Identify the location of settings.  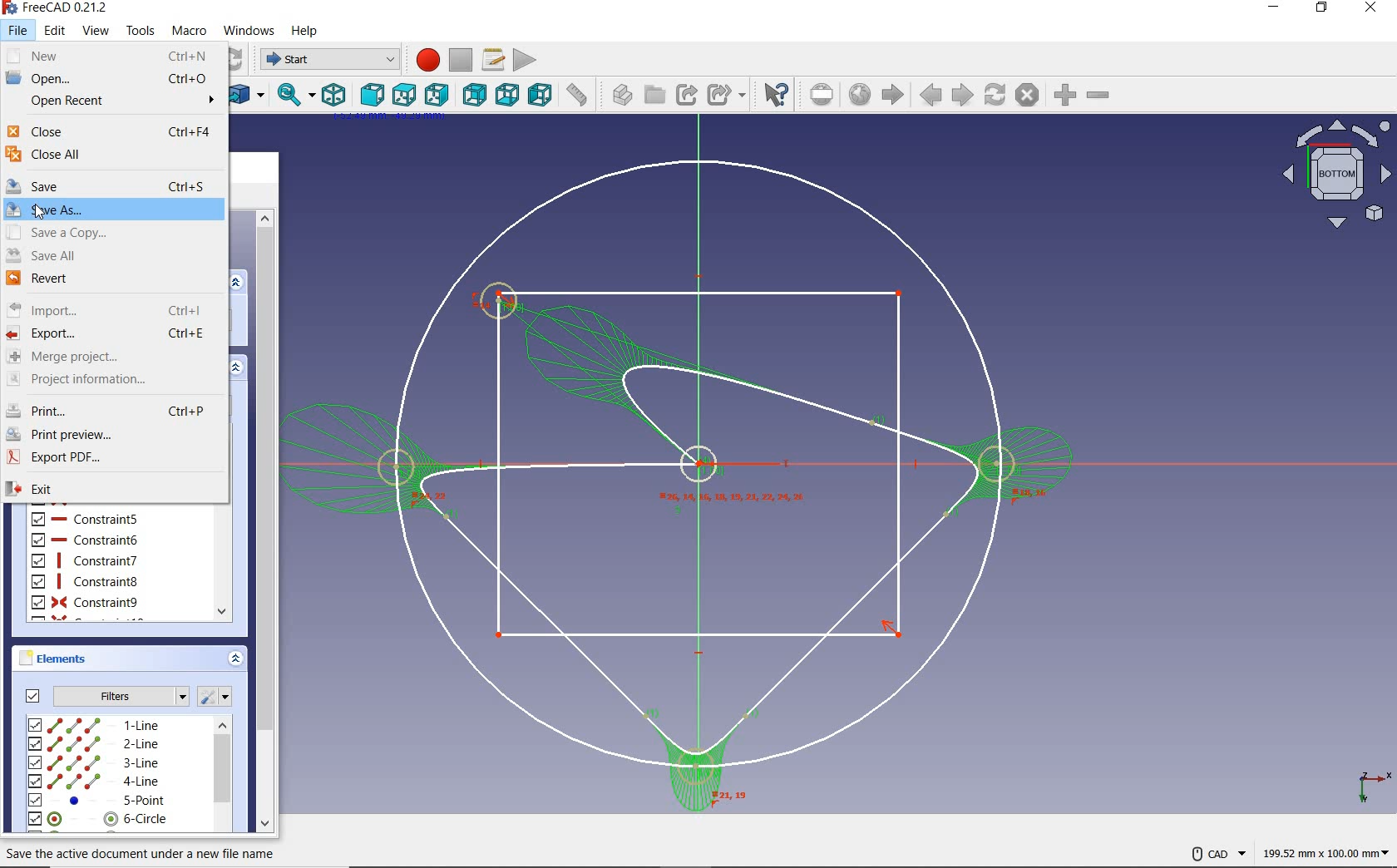
(219, 696).